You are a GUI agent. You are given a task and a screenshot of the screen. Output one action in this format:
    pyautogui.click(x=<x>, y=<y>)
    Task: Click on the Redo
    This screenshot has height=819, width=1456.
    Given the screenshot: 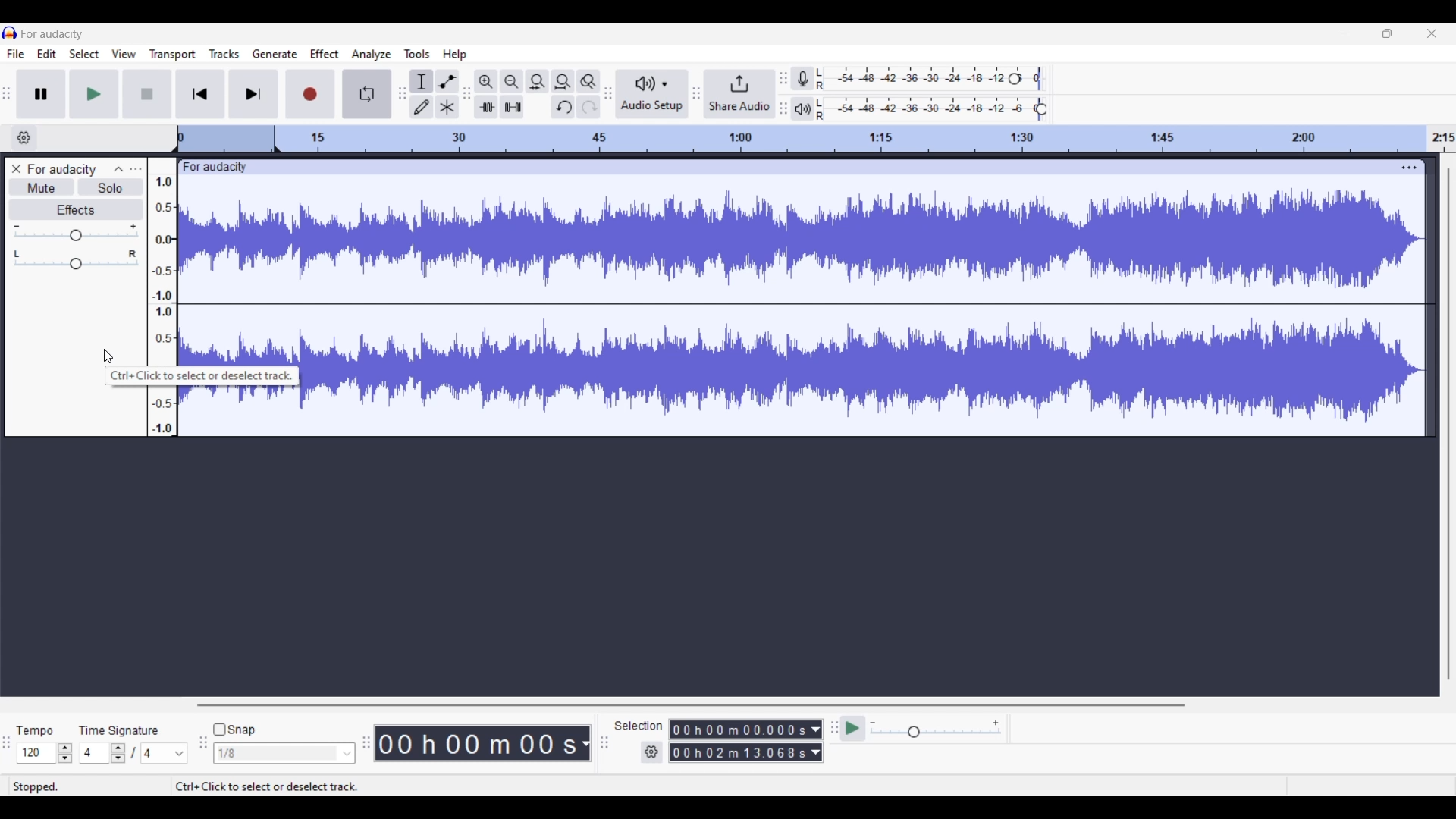 What is the action you would take?
    pyautogui.click(x=588, y=106)
    